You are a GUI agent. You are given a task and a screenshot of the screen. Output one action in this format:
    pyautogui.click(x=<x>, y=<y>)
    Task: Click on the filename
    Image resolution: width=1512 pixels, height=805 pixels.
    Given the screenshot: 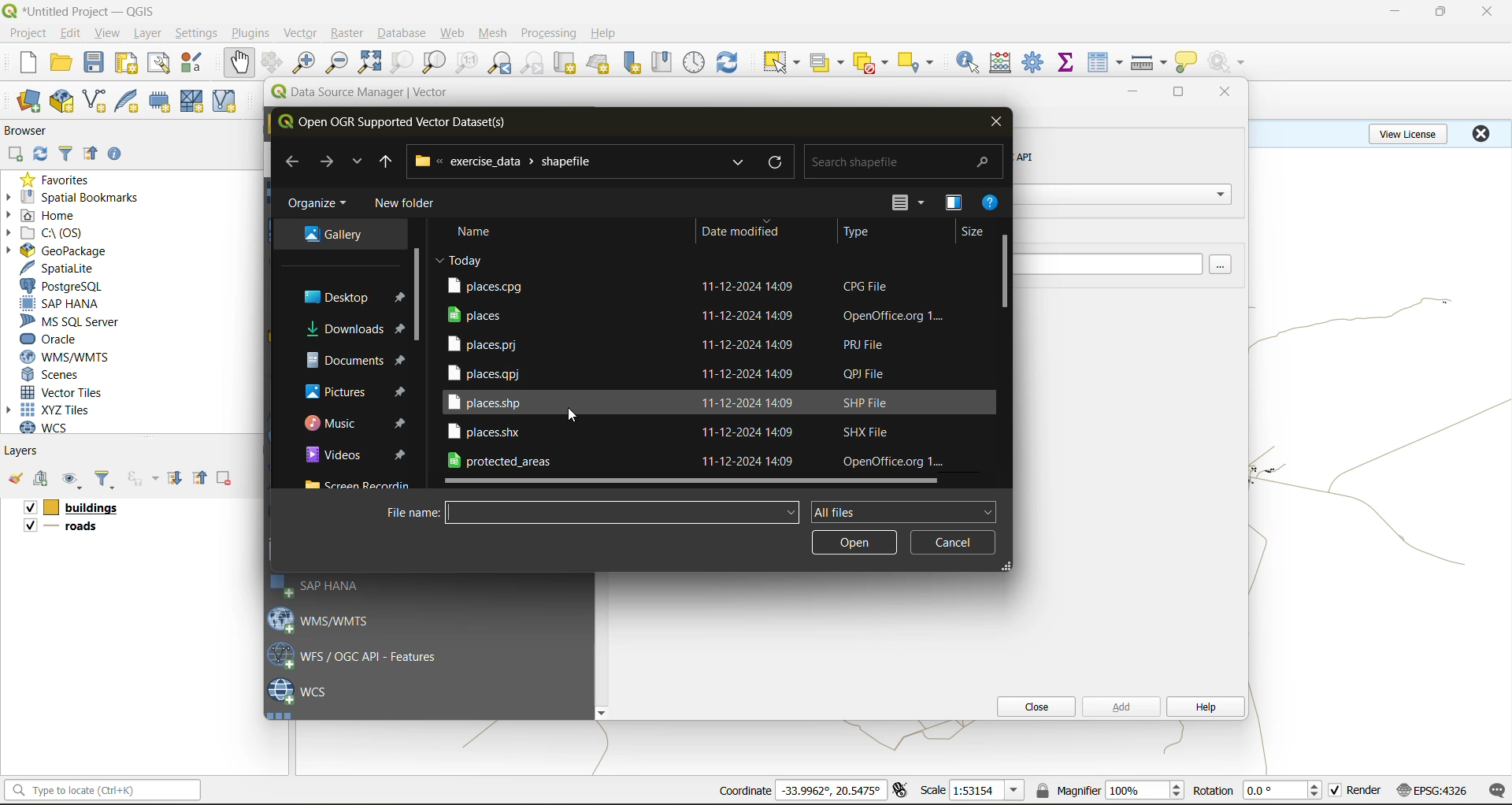 What is the action you would take?
    pyautogui.click(x=410, y=512)
    